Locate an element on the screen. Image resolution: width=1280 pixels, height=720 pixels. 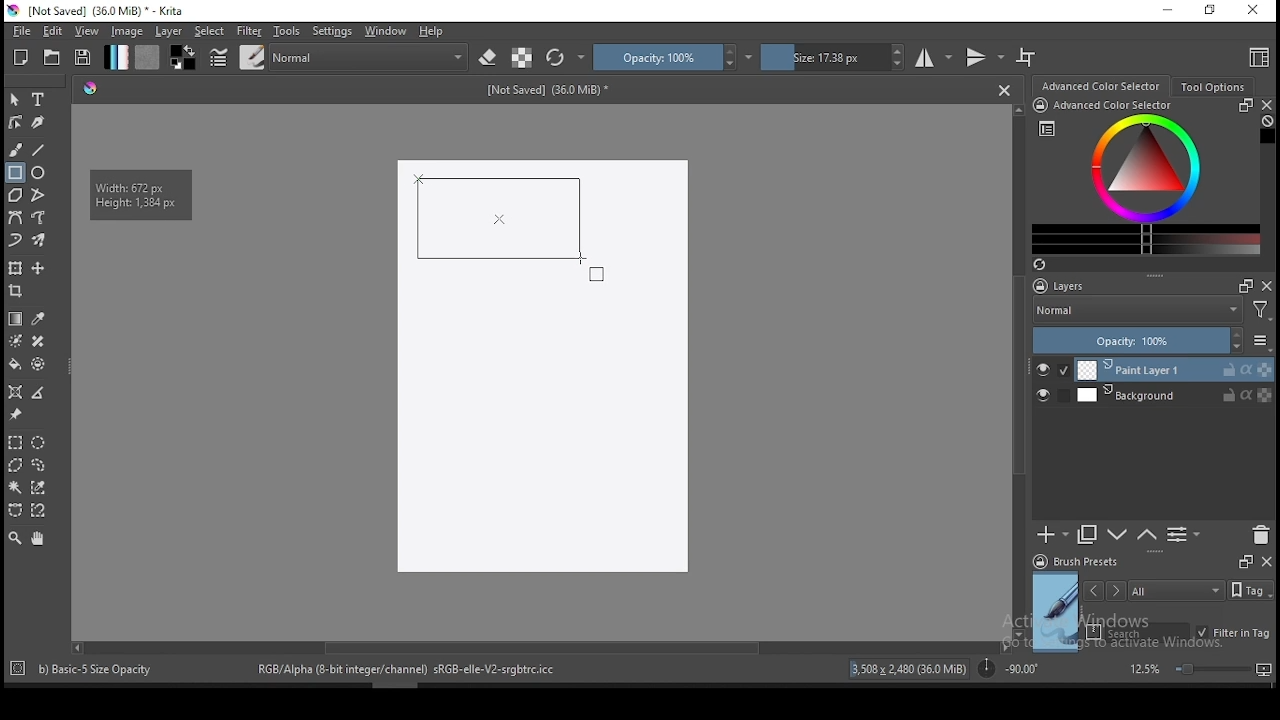
active rectangle is located at coordinates (496, 218).